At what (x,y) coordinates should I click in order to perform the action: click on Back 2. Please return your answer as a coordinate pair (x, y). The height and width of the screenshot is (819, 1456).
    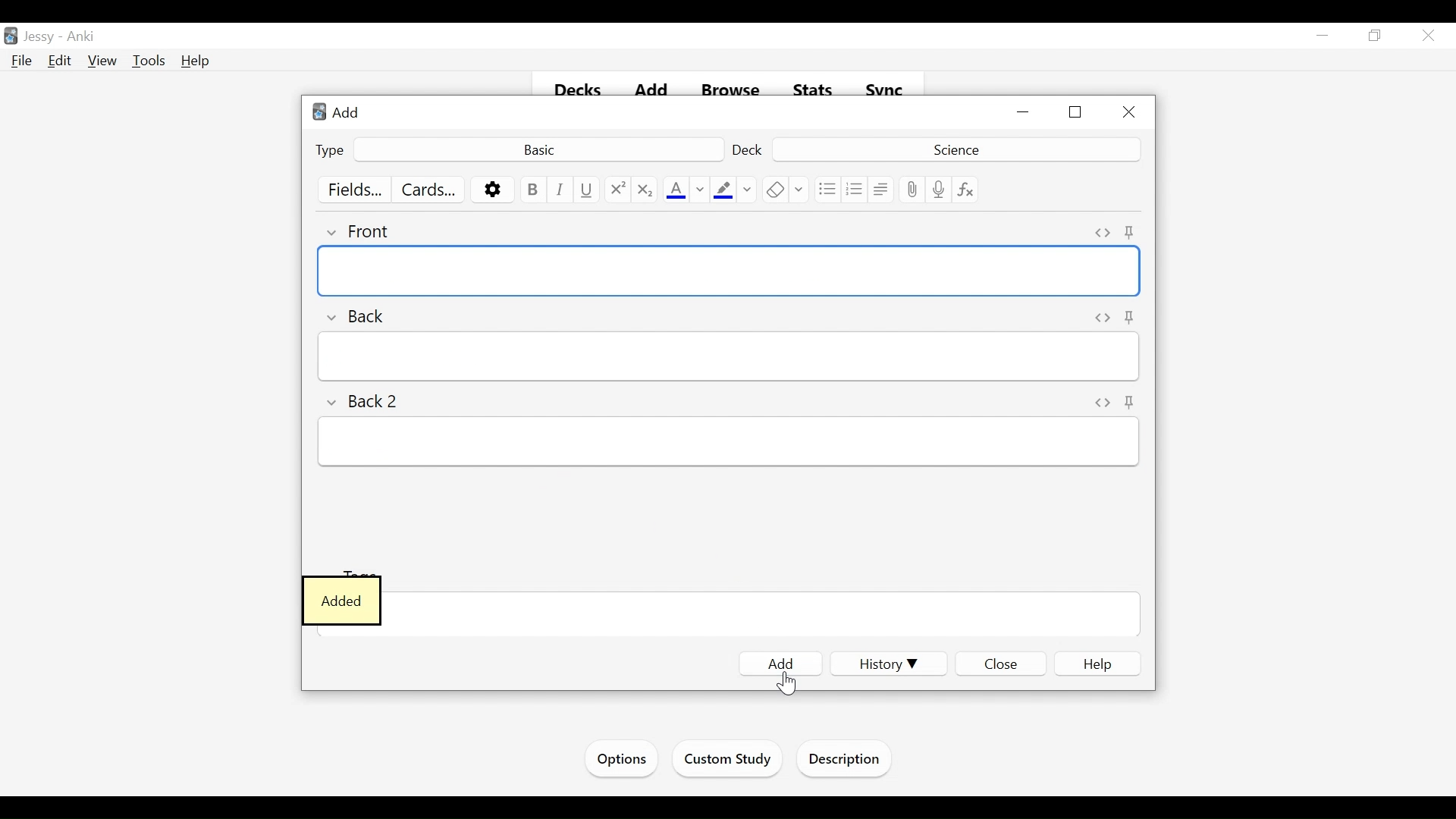
    Looking at the image, I should click on (366, 399).